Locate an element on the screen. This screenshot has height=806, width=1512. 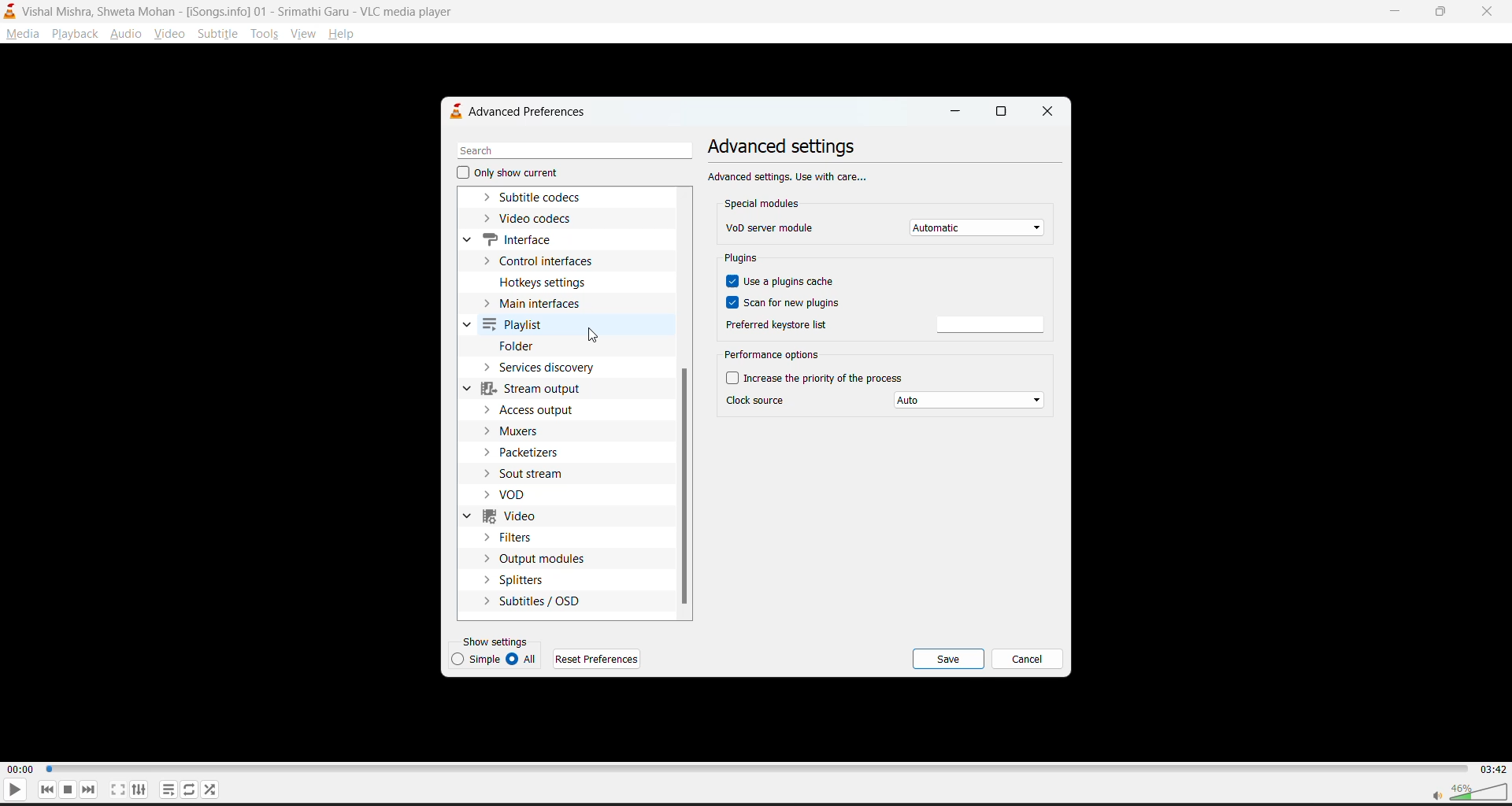
help is located at coordinates (346, 34).